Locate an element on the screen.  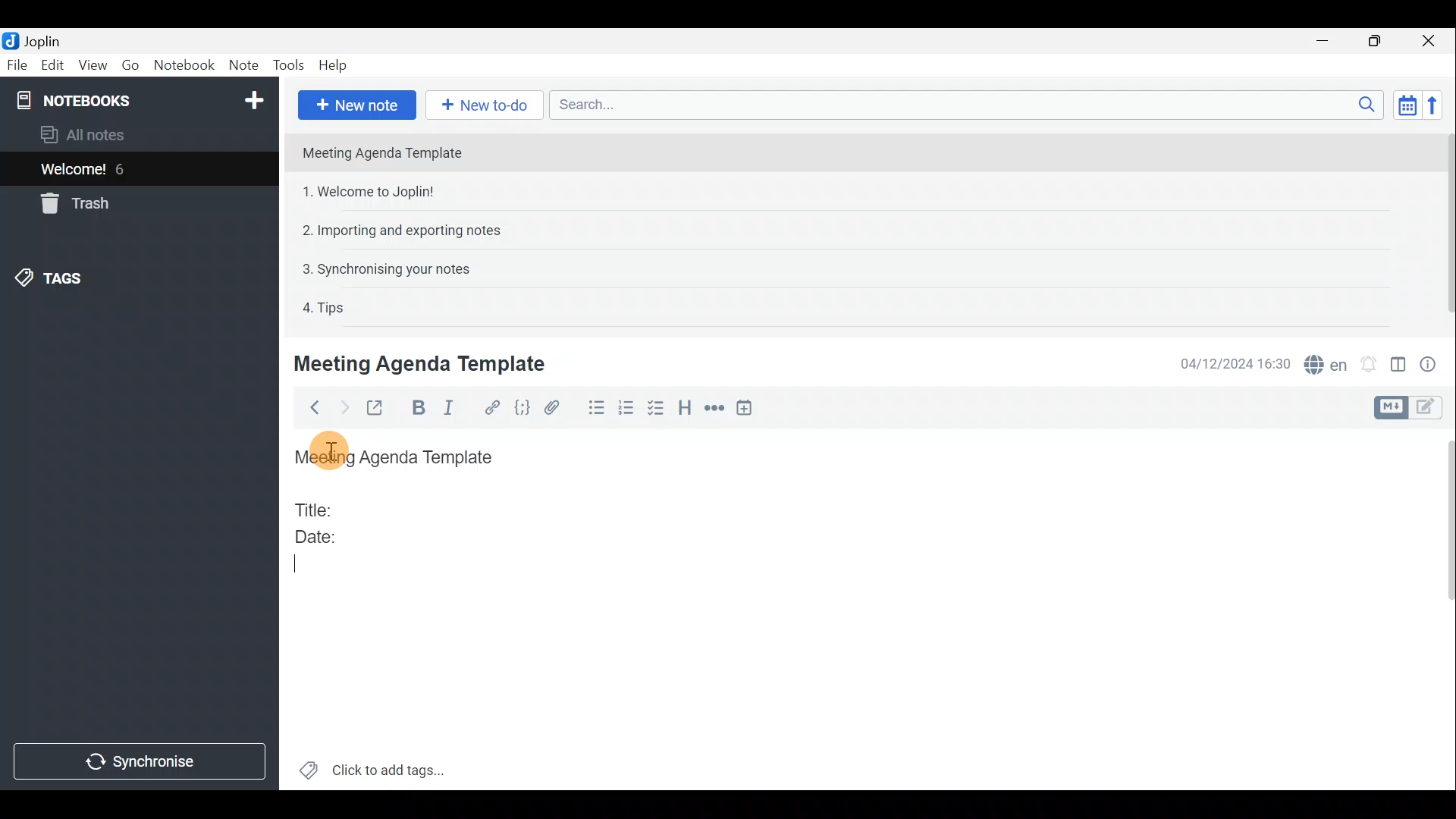
04/12/2024 16:30 is located at coordinates (1228, 362).